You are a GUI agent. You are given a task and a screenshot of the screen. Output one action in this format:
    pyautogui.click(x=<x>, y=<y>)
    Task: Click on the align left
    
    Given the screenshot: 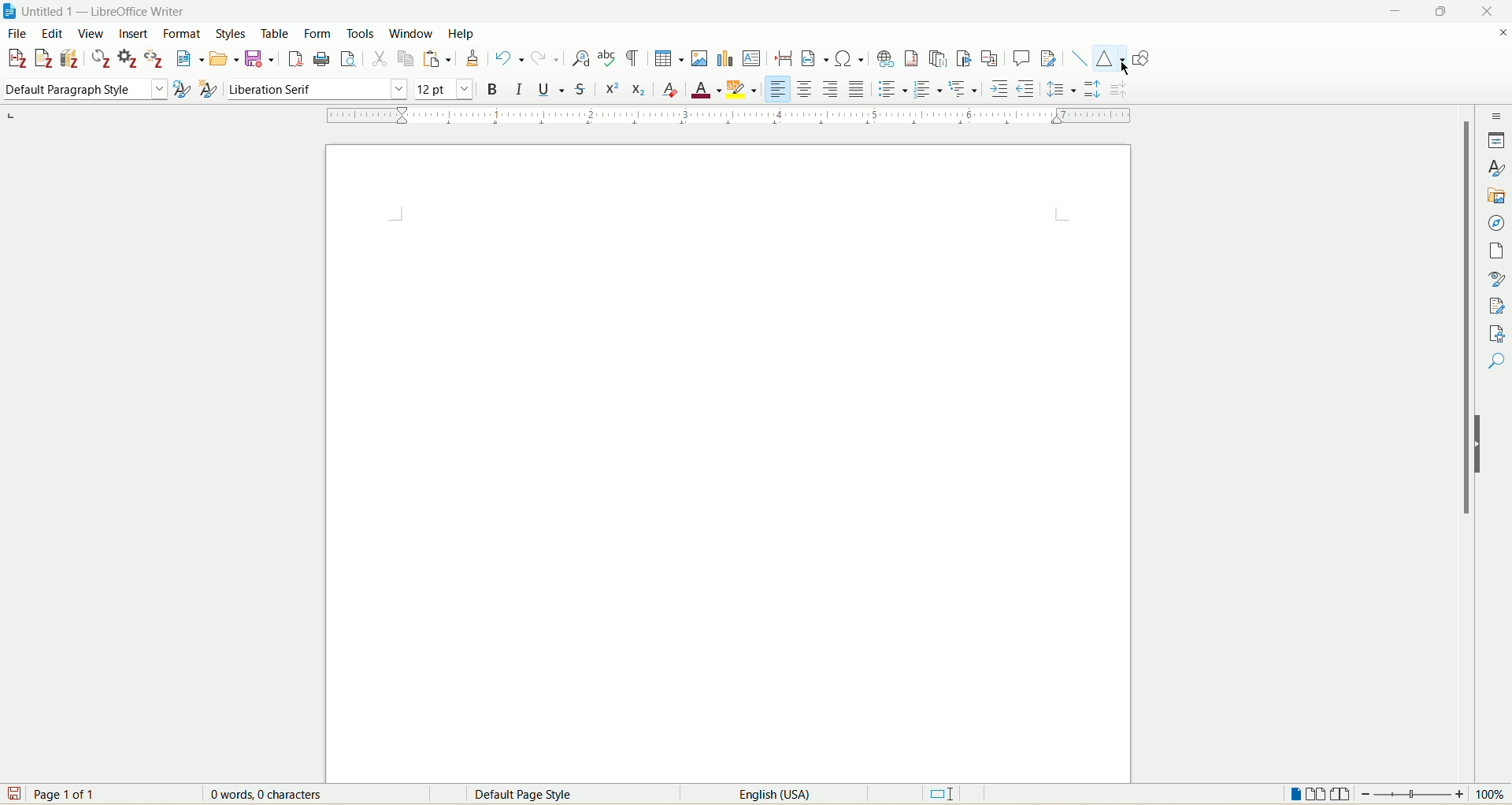 What is the action you would take?
    pyautogui.click(x=780, y=87)
    